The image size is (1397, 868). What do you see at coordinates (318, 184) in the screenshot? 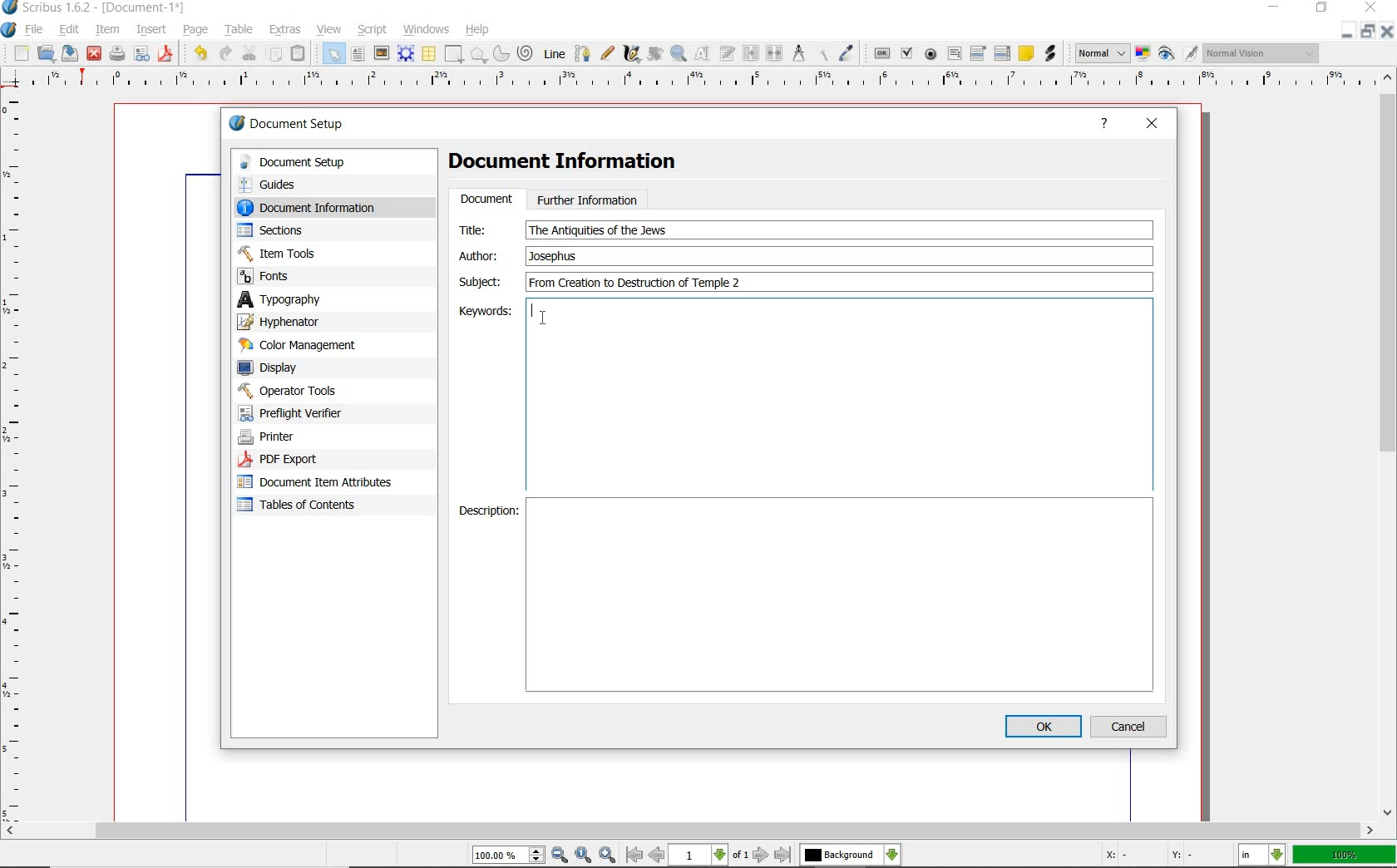
I see `guides` at bounding box center [318, 184].